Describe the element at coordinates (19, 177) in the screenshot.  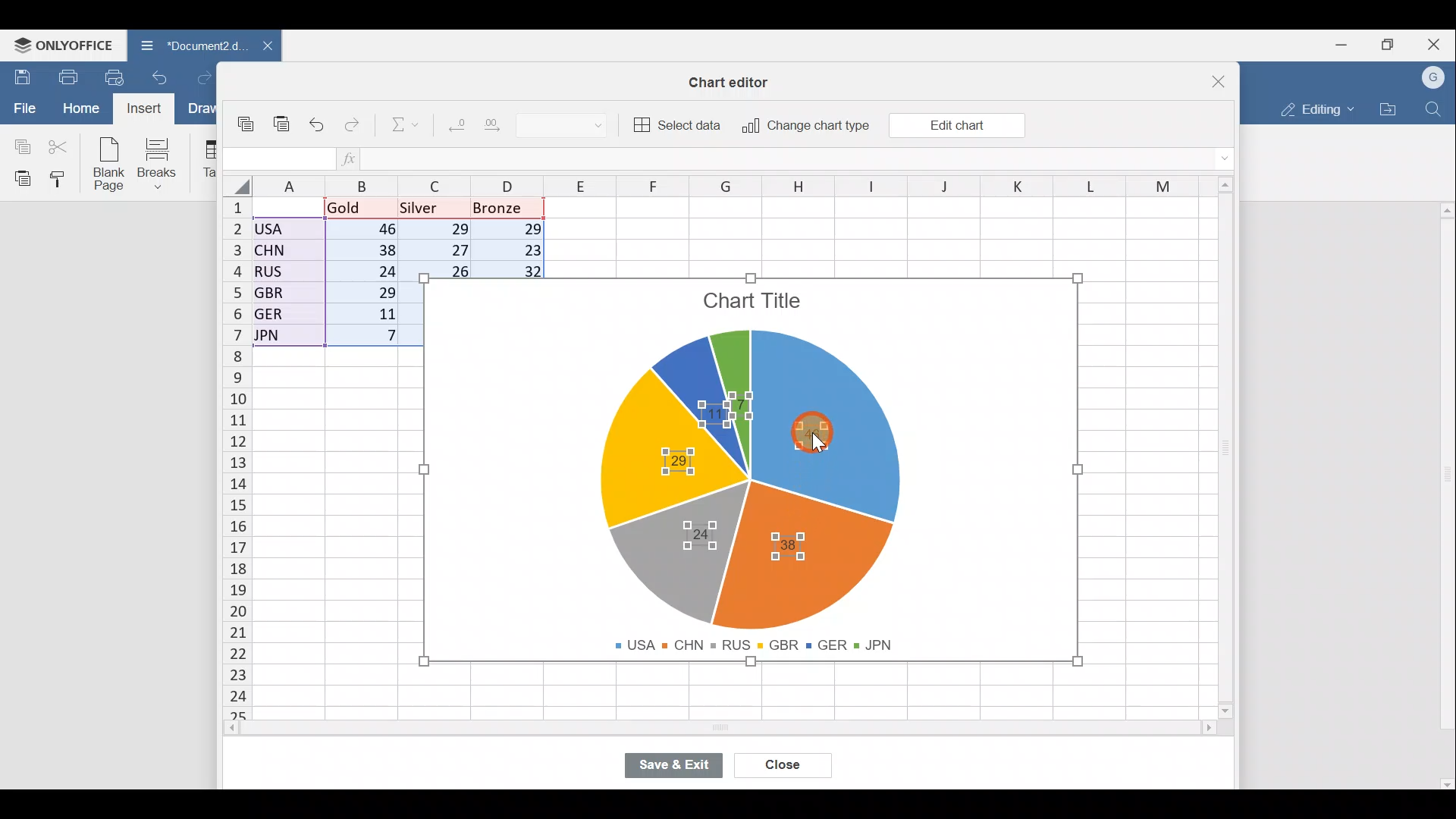
I see `Paste` at that location.